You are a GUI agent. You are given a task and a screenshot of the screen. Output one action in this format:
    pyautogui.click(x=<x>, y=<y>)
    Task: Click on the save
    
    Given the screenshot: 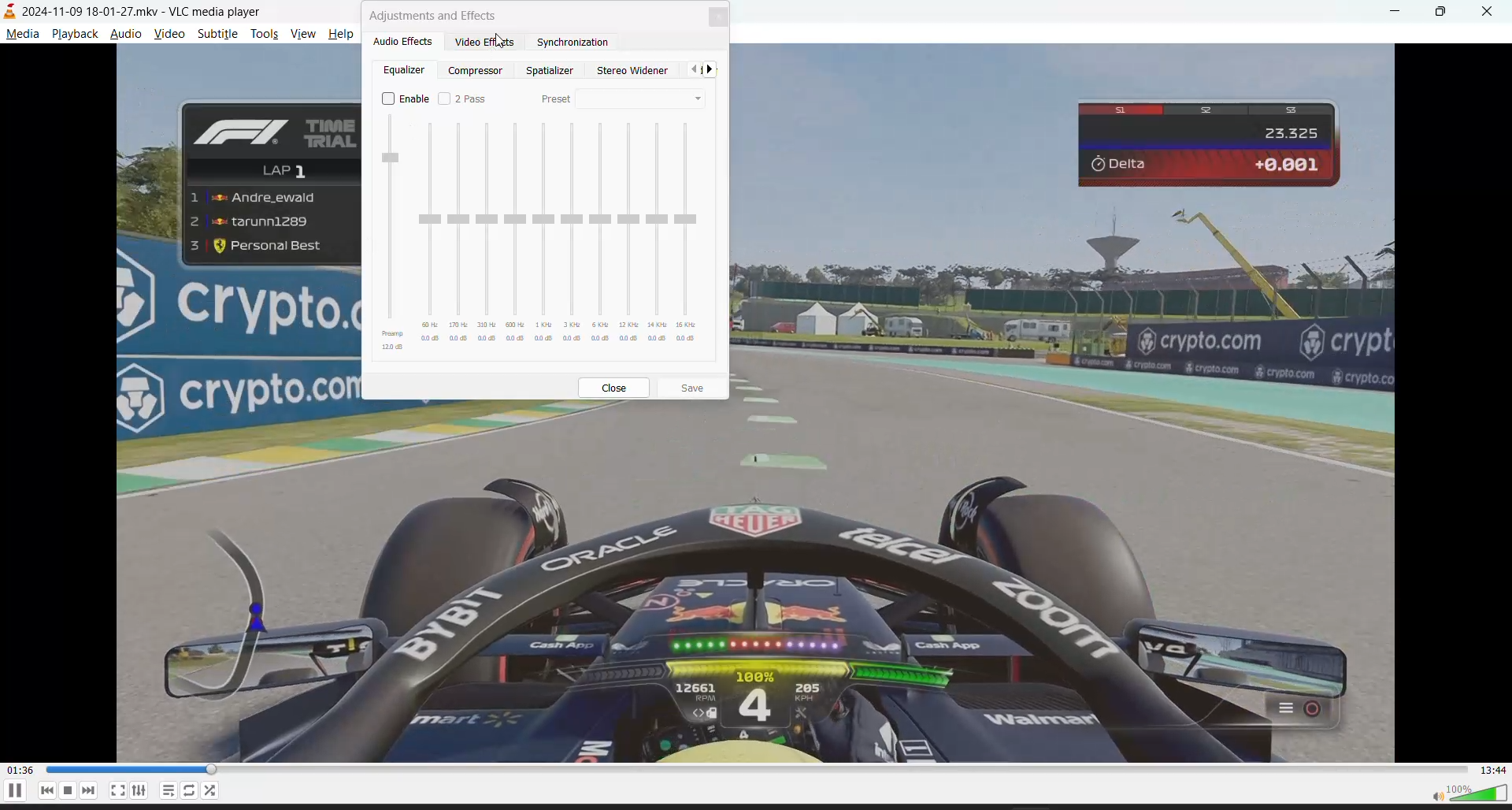 What is the action you would take?
    pyautogui.click(x=694, y=388)
    